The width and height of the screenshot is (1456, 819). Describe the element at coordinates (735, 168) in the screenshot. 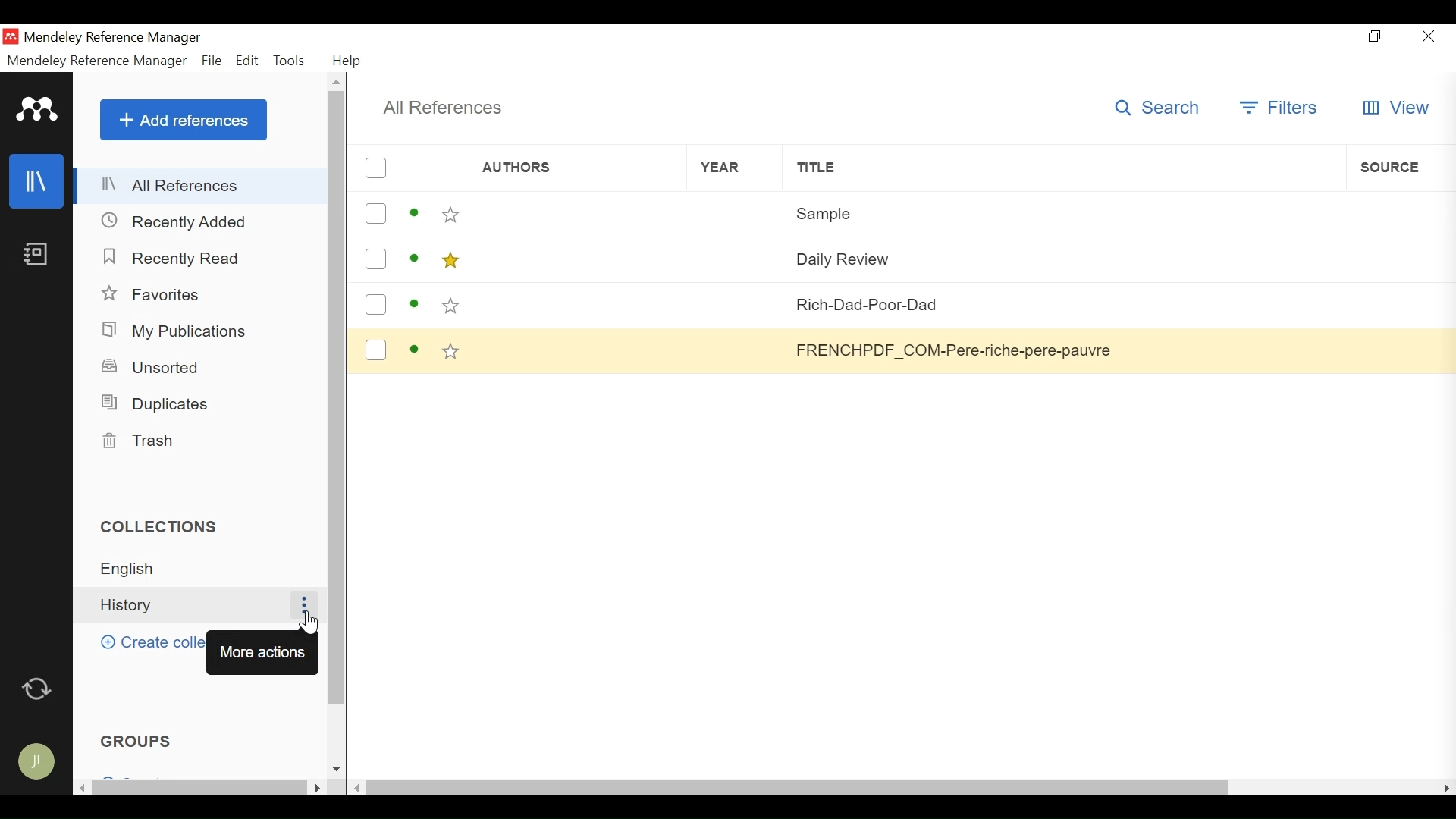

I see `Year` at that location.